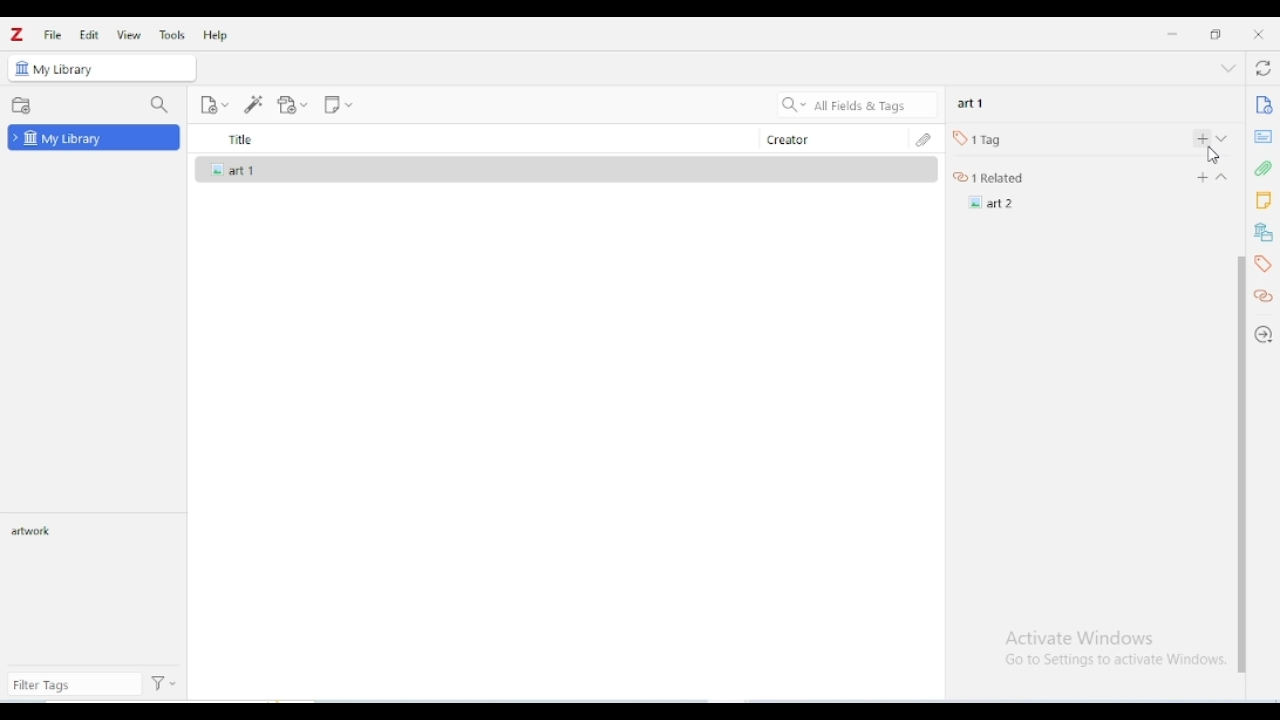 This screenshot has width=1280, height=720. What do you see at coordinates (1263, 69) in the screenshot?
I see `sync with zotero.org` at bounding box center [1263, 69].